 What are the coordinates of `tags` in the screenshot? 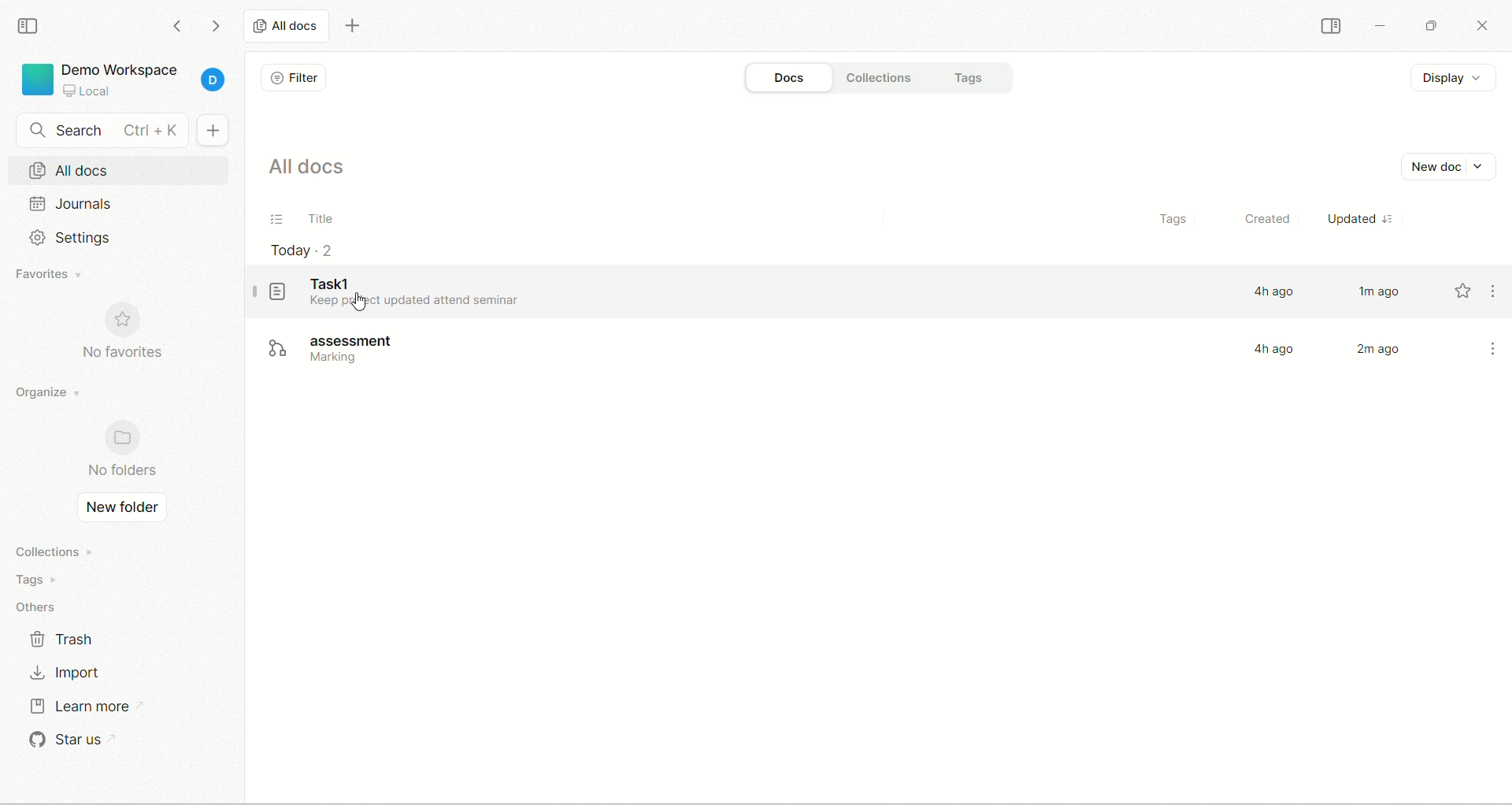 It's located at (979, 74).